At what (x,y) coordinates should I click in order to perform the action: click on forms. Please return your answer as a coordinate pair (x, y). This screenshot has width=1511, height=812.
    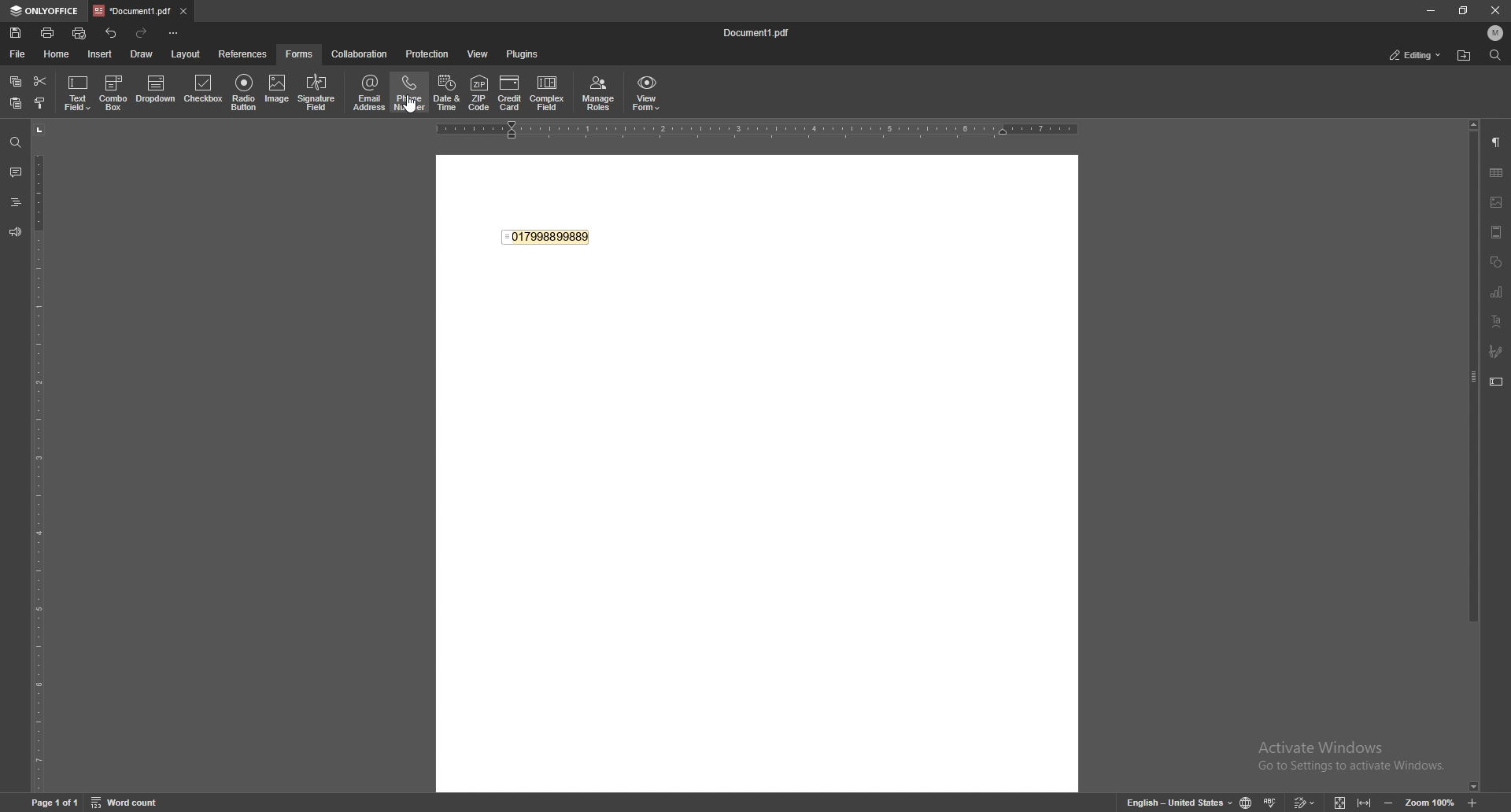
    Looking at the image, I should click on (300, 54).